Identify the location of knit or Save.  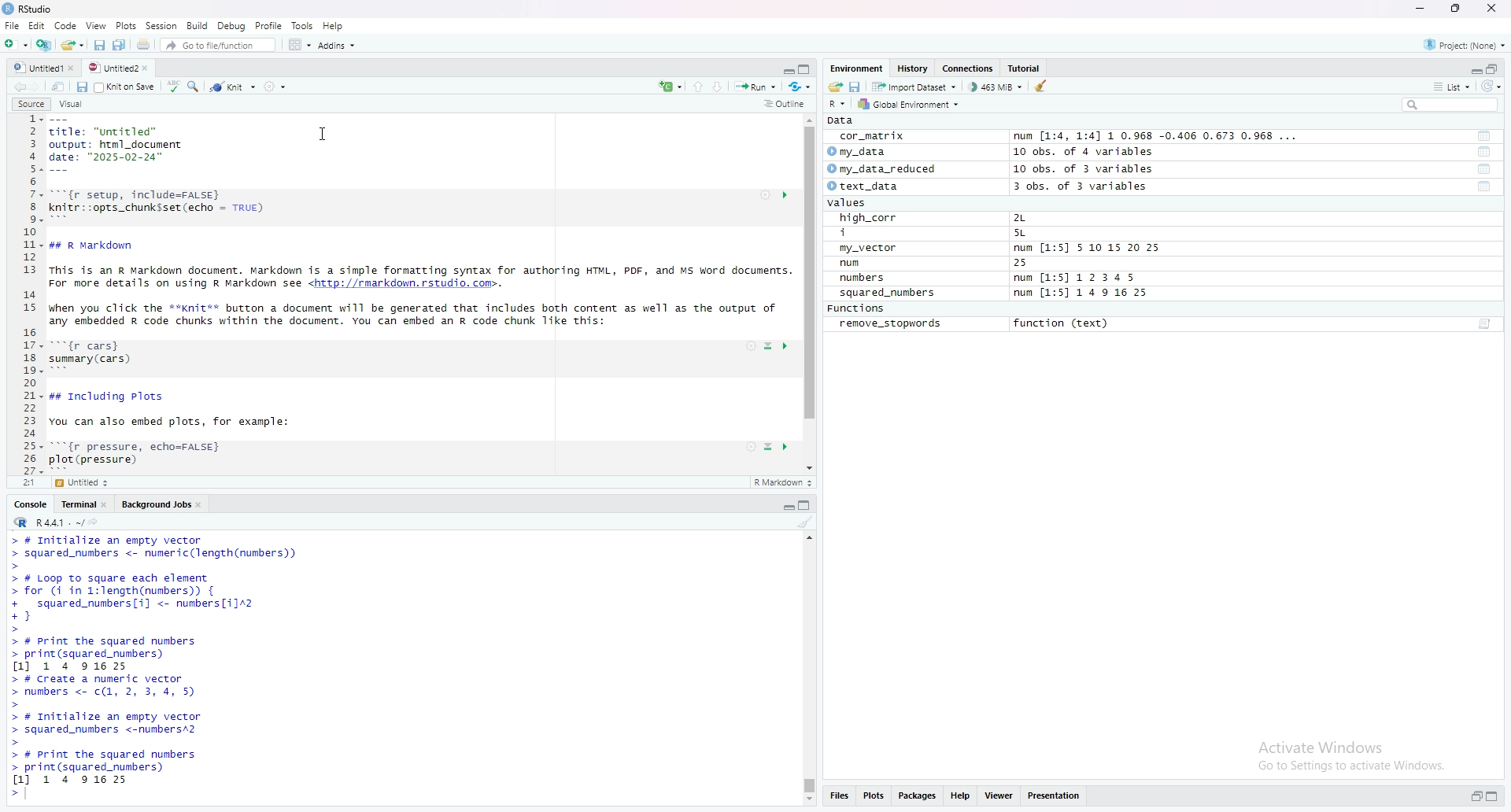
(139, 87).